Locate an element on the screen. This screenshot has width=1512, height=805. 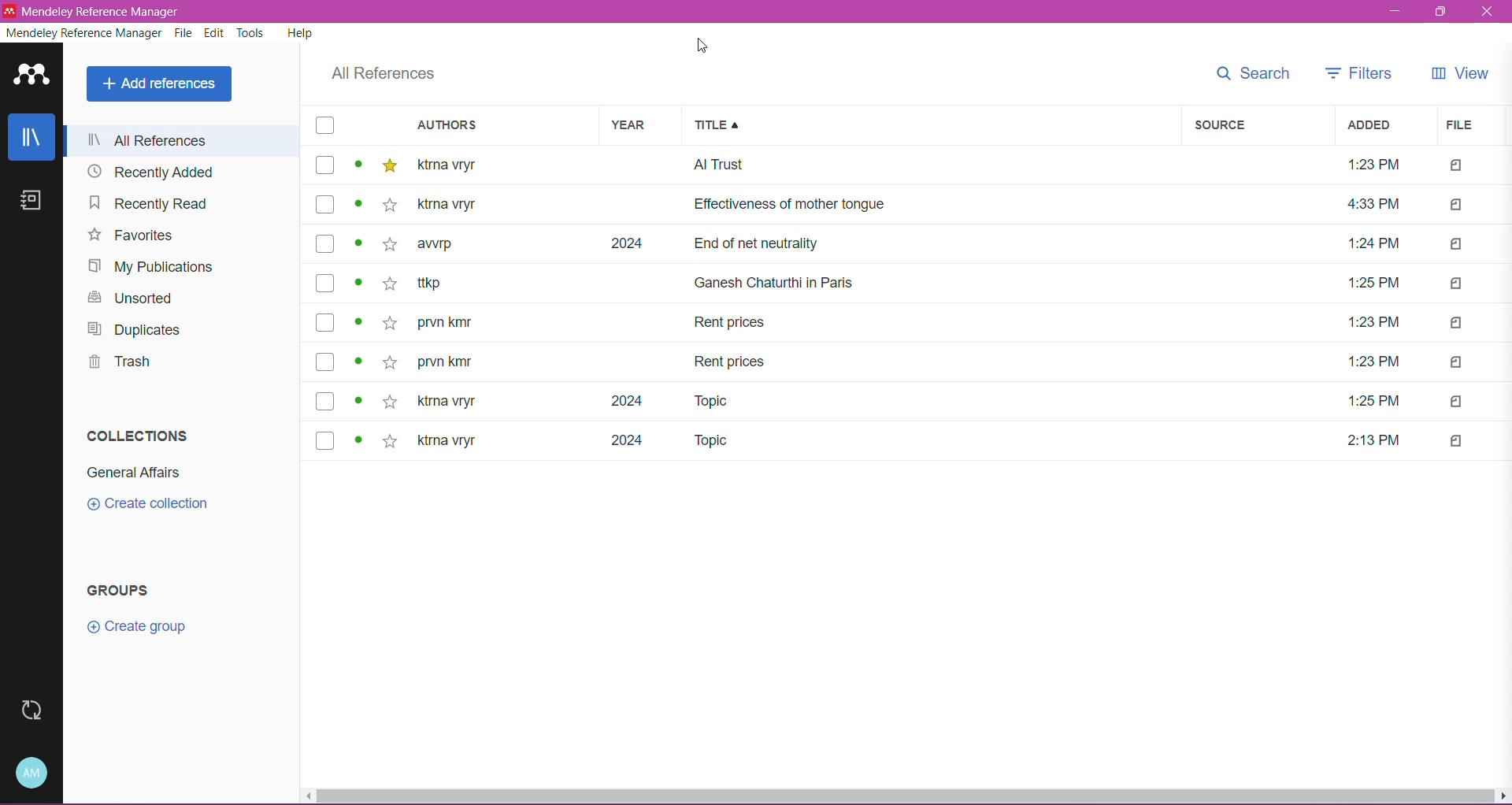
Collection Name is located at coordinates (128, 472).